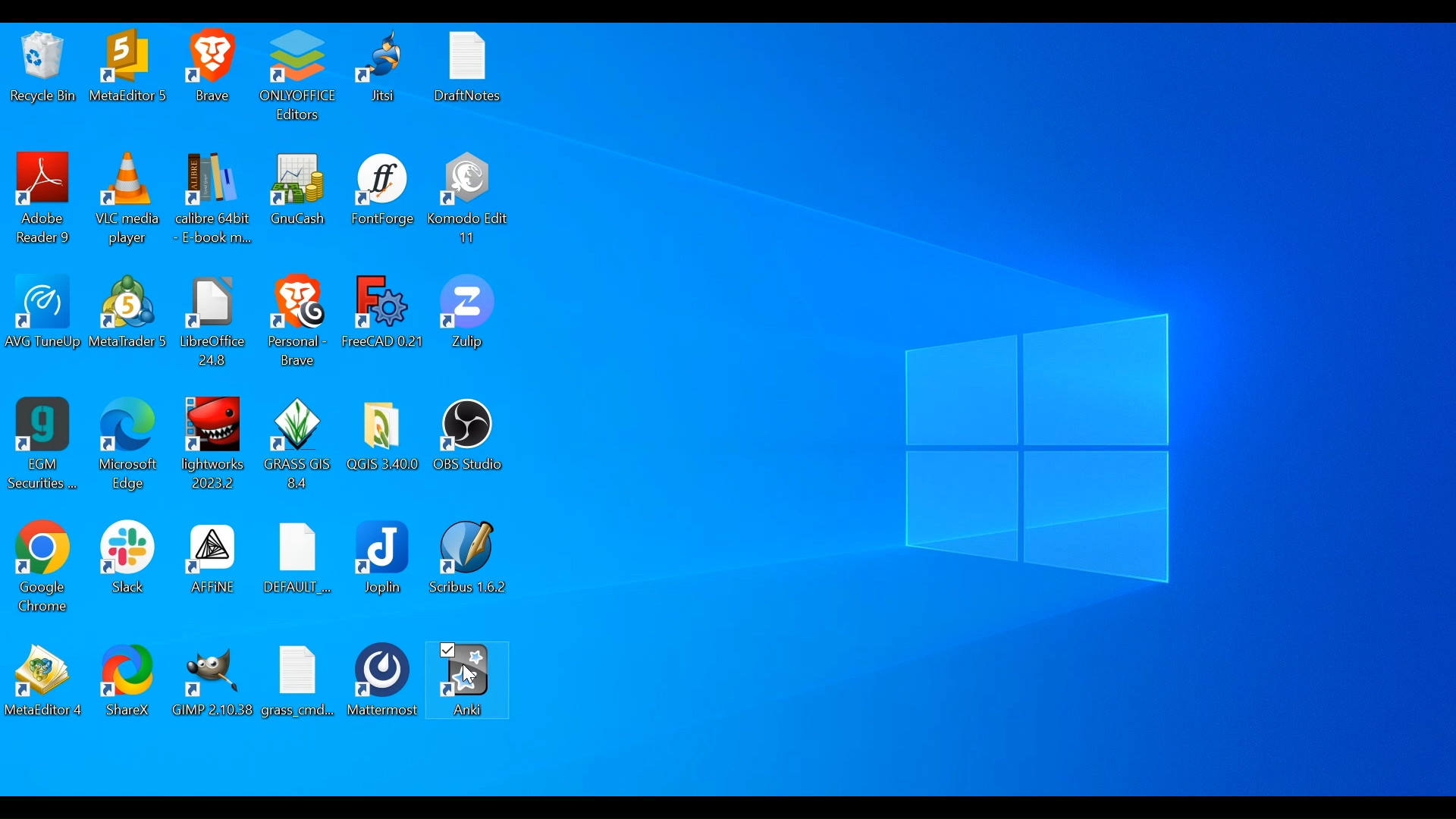 Image resolution: width=1456 pixels, height=819 pixels. What do you see at coordinates (468, 312) in the screenshot?
I see `Zulip Desktop icon` at bounding box center [468, 312].